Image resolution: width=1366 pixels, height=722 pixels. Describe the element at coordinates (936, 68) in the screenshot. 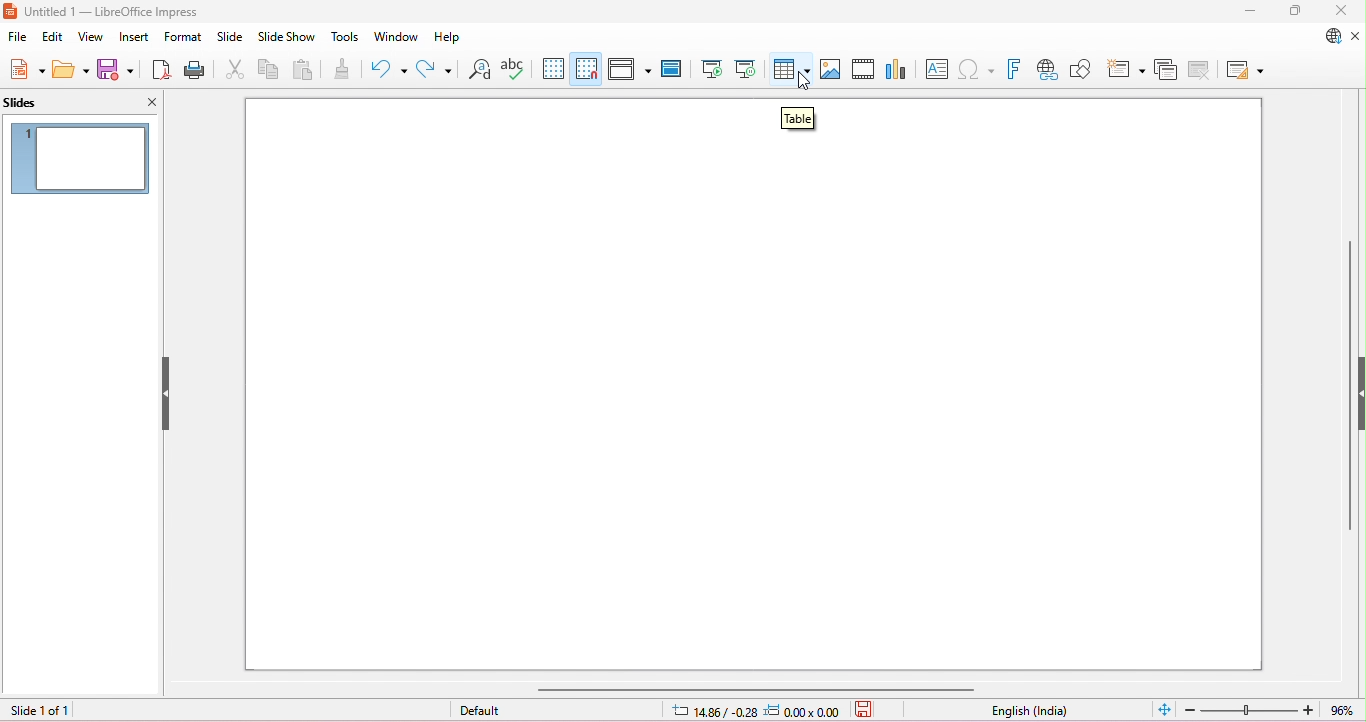

I see `insert text box` at that location.